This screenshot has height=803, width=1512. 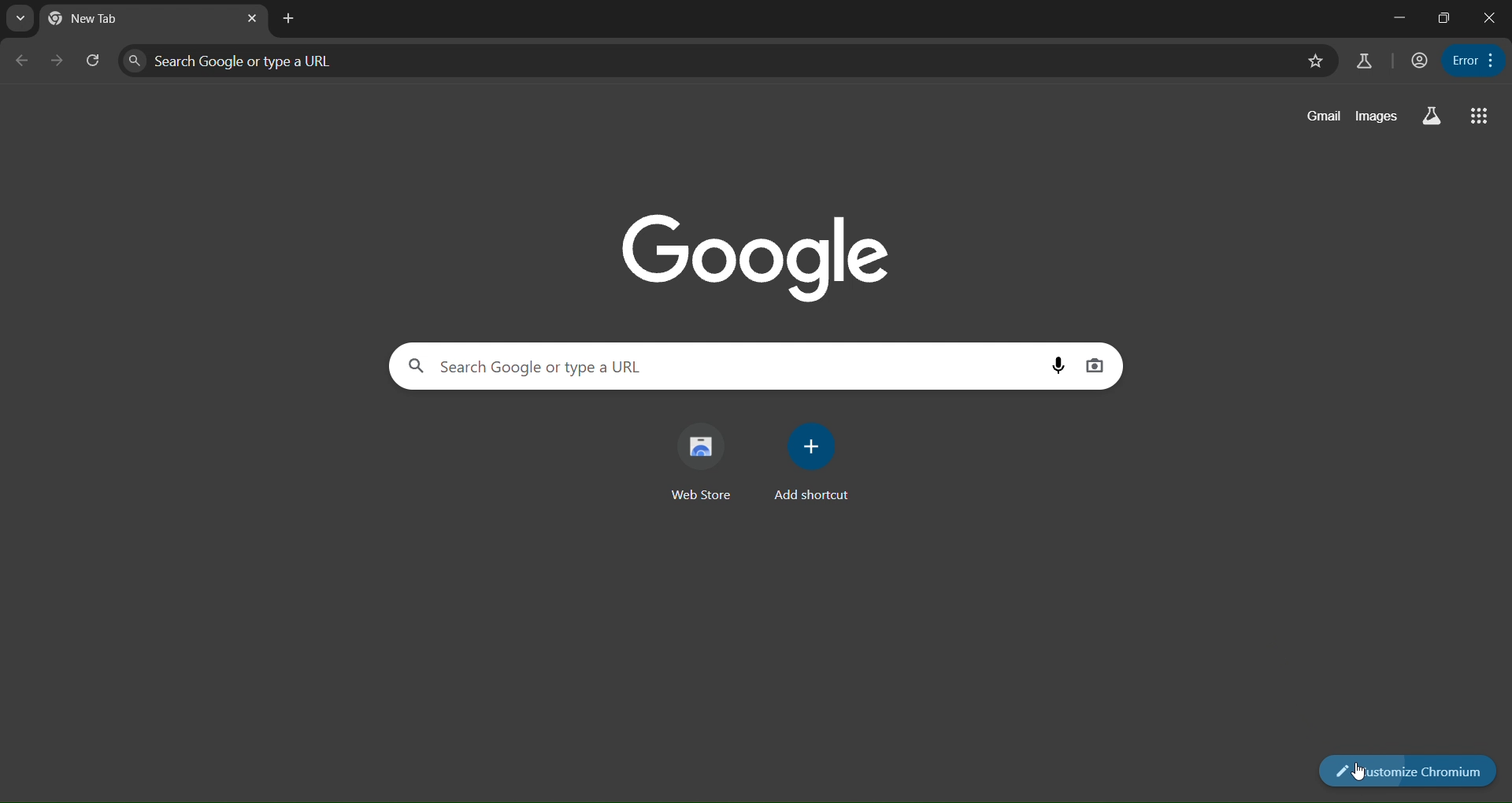 I want to click on cursor, so click(x=1362, y=772).